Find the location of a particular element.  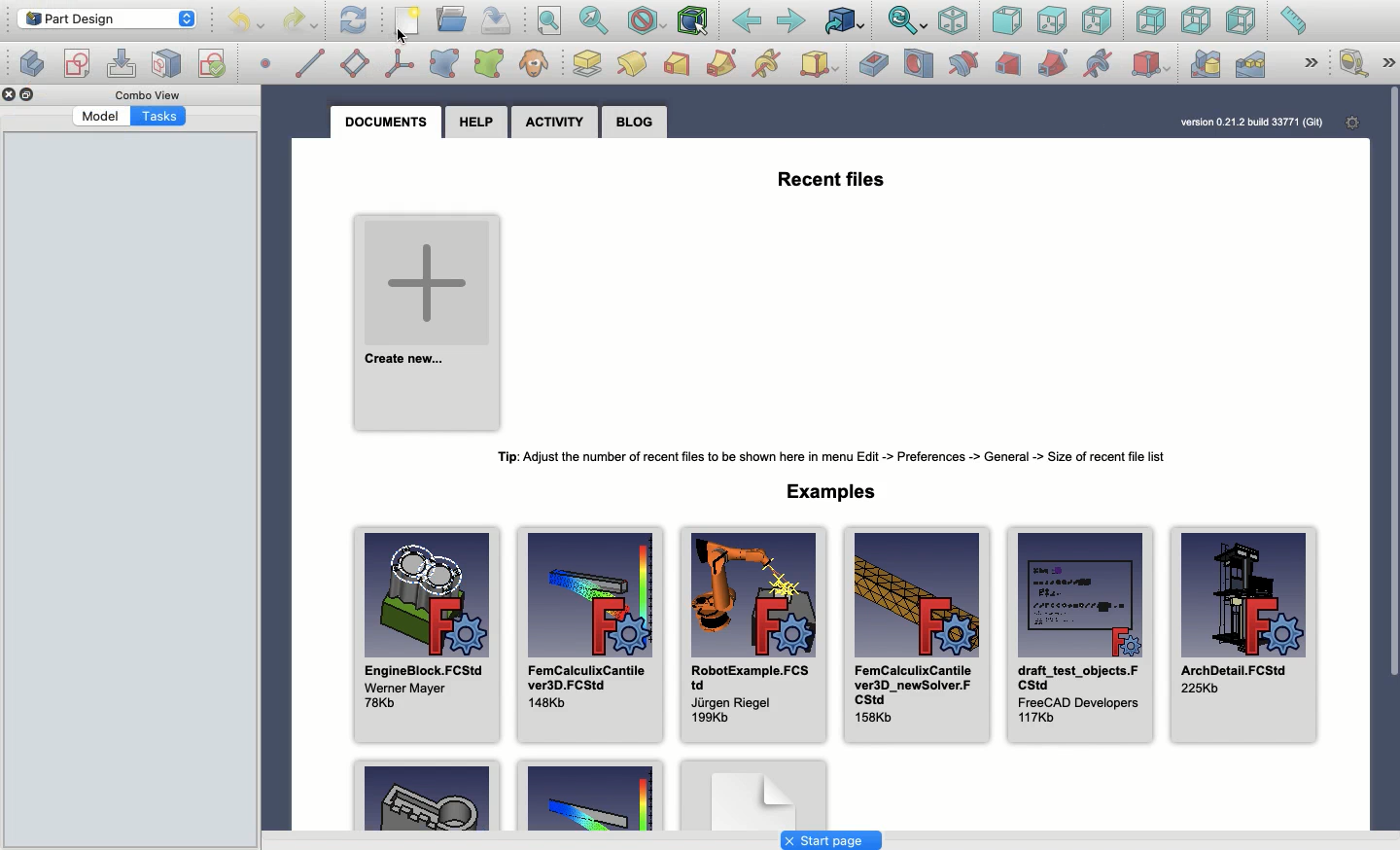

Documents is located at coordinates (387, 120).